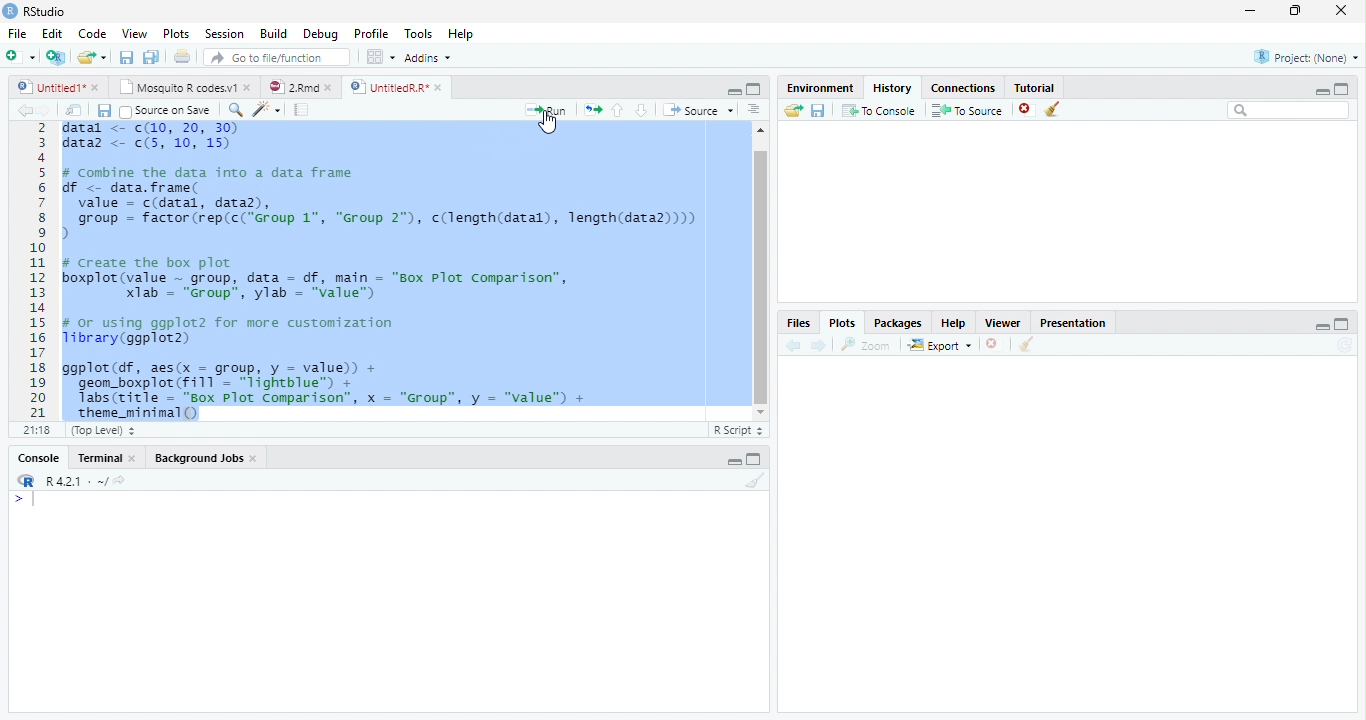 The image size is (1366, 720). What do you see at coordinates (17, 33) in the screenshot?
I see `File` at bounding box center [17, 33].